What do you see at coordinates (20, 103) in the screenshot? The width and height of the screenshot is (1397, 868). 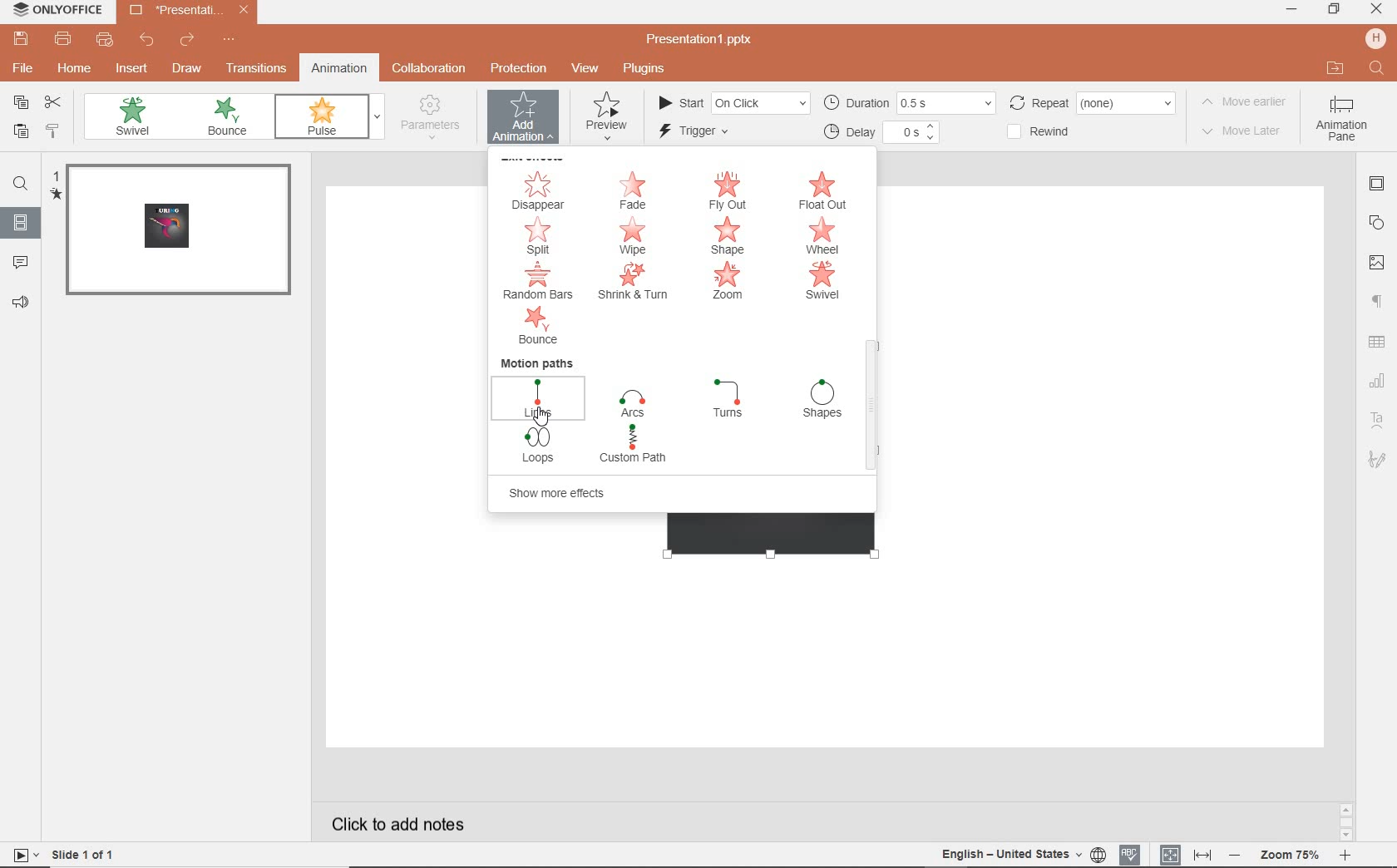 I see `copy` at bounding box center [20, 103].